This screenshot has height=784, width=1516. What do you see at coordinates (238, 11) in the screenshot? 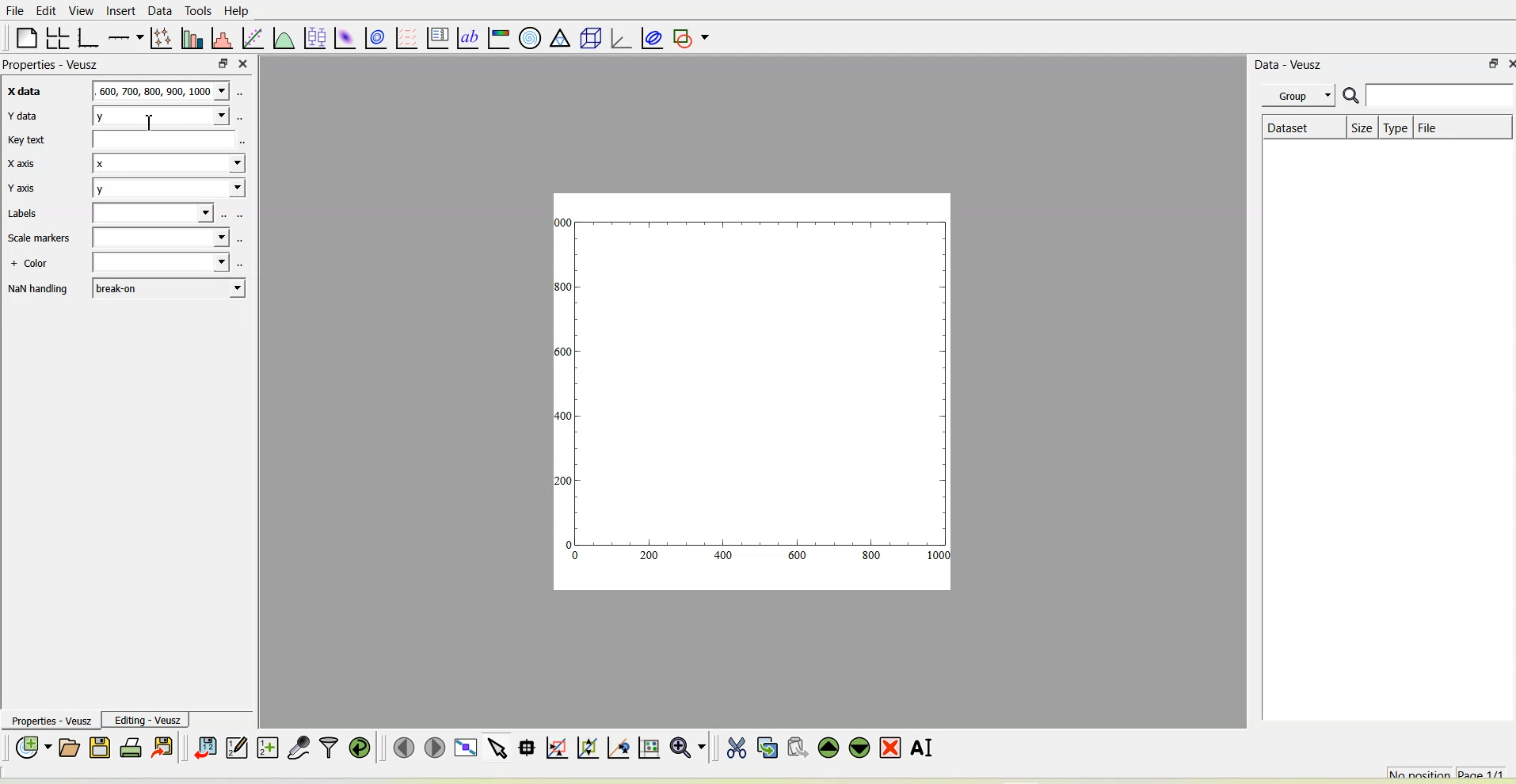
I see `Help` at bounding box center [238, 11].